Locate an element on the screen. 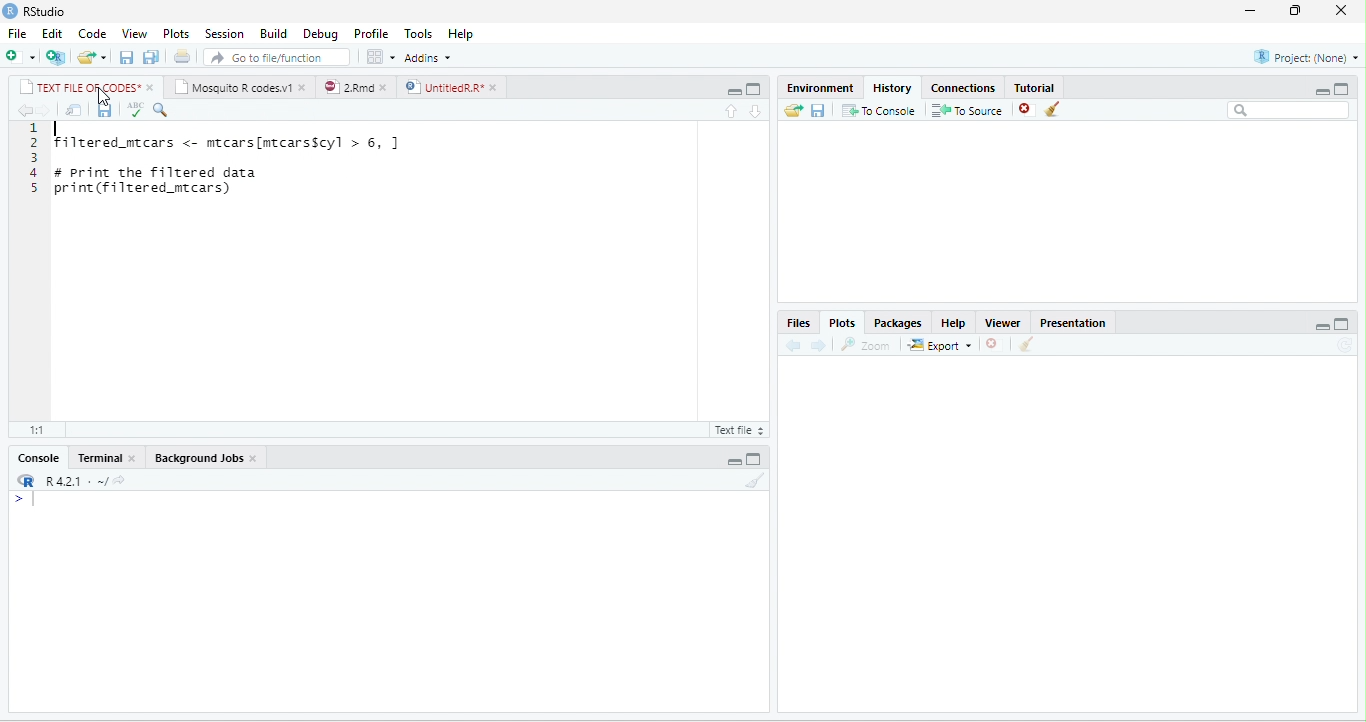  logo is located at coordinates (10, 11).